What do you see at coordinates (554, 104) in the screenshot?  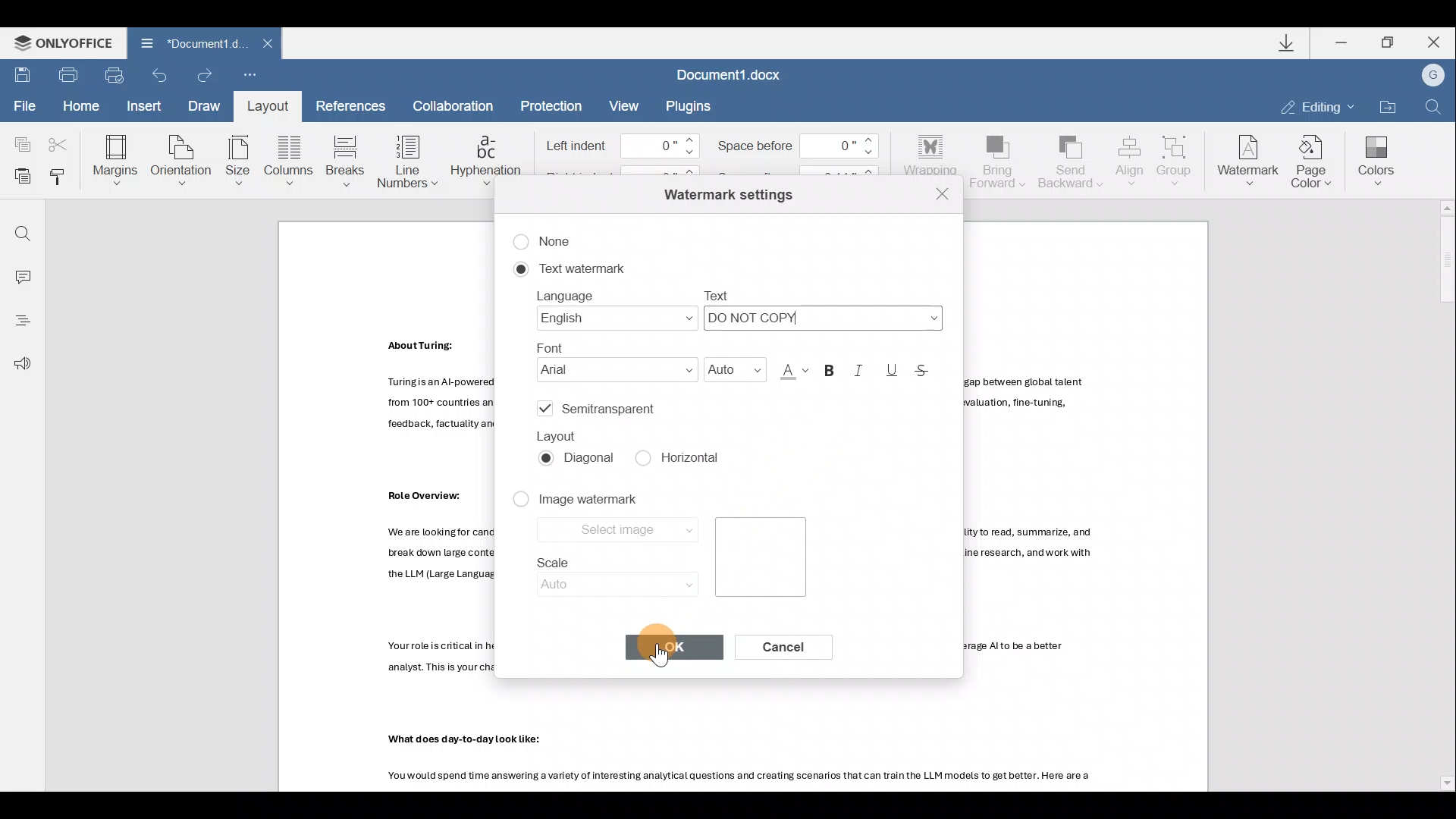 I see `Protection` at bounding box center [554, 104].